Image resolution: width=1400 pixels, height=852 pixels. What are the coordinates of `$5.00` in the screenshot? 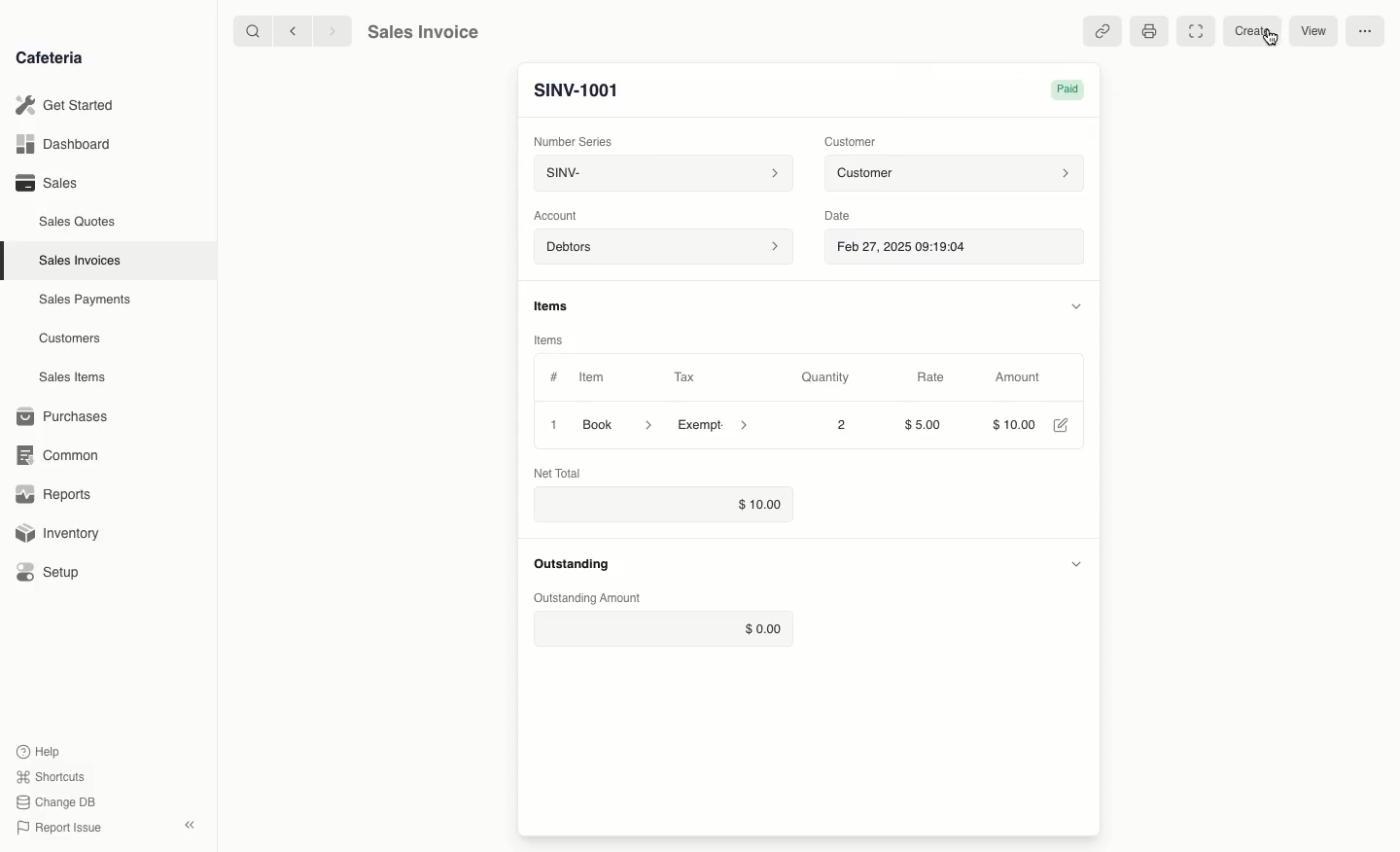 It's located at (926, 424).